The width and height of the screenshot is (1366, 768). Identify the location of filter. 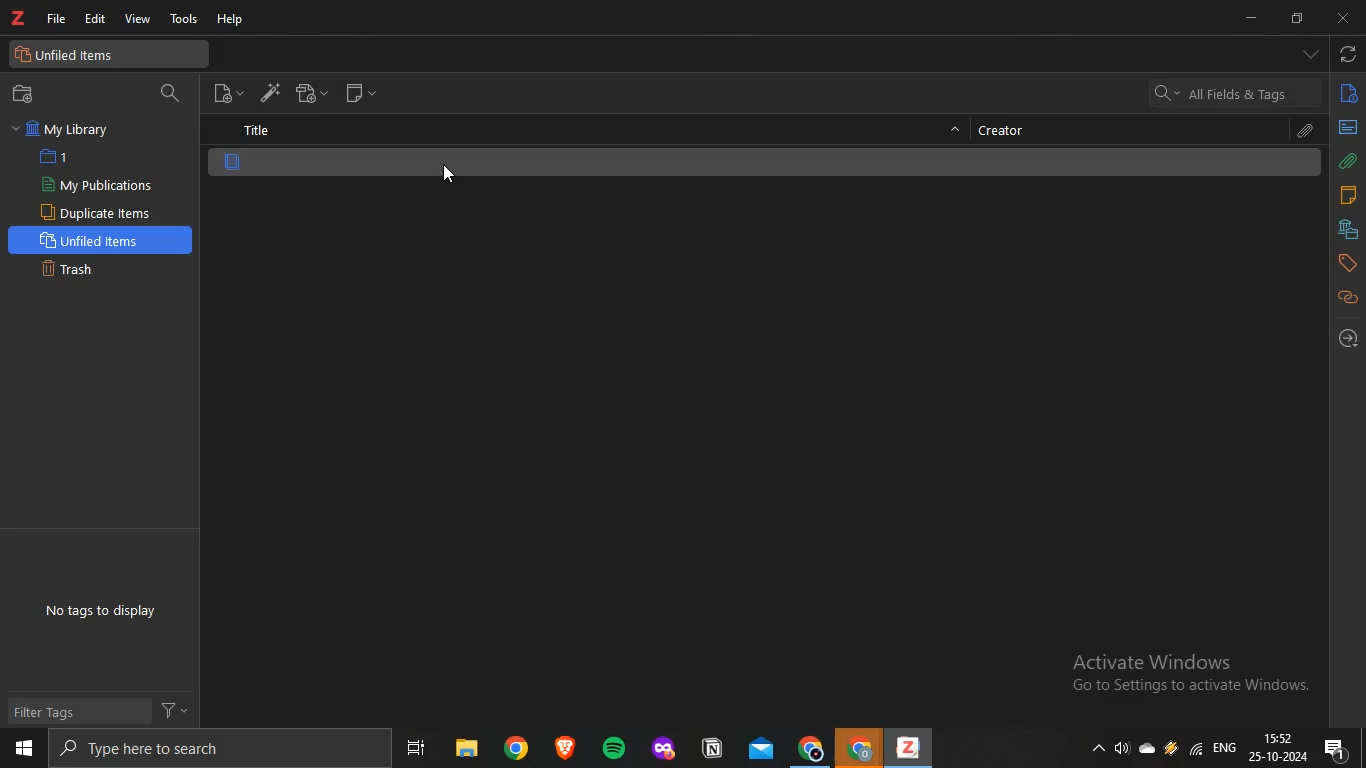
(173, 708).